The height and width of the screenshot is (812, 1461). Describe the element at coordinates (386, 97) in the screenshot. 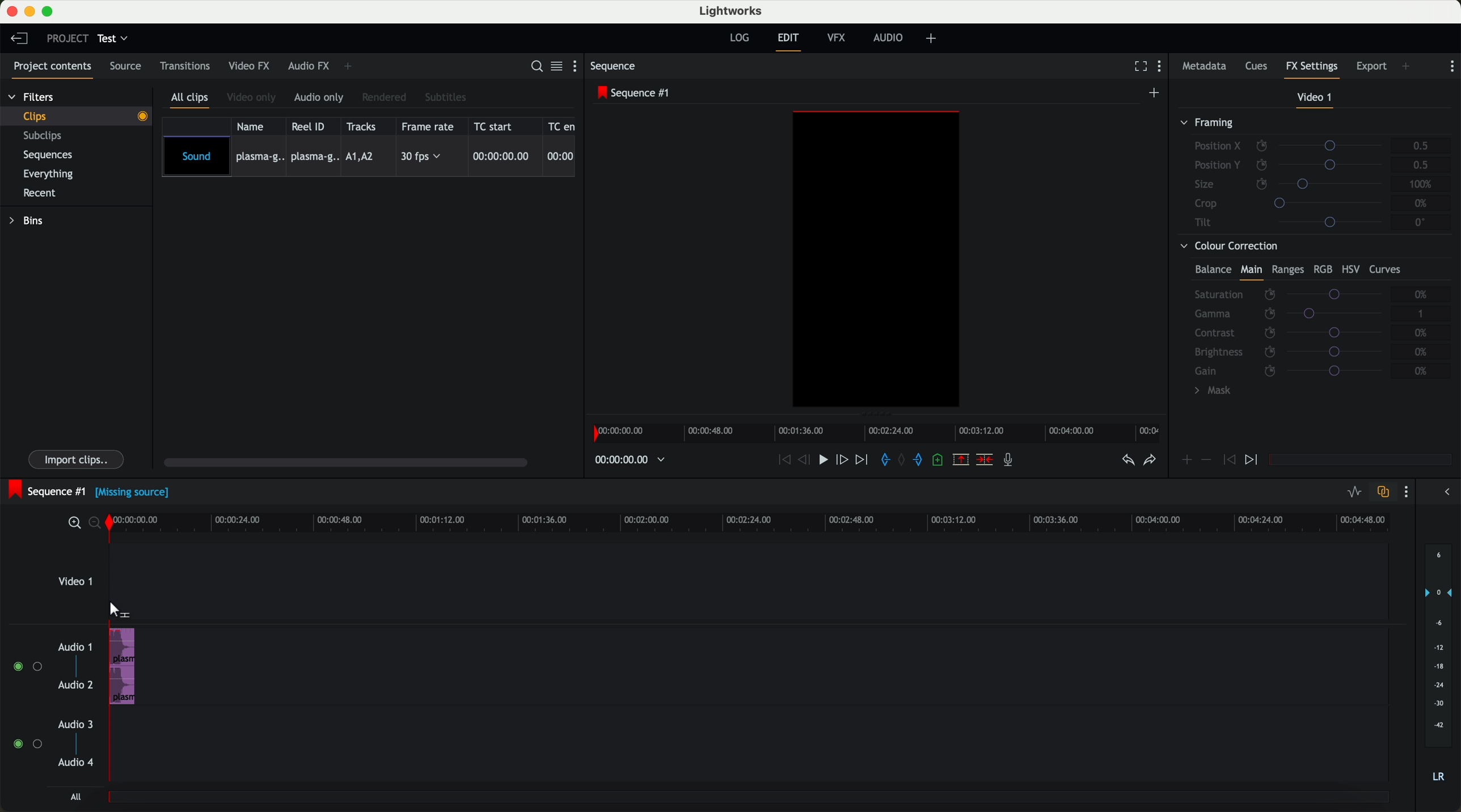

I see `rendered` at that location.